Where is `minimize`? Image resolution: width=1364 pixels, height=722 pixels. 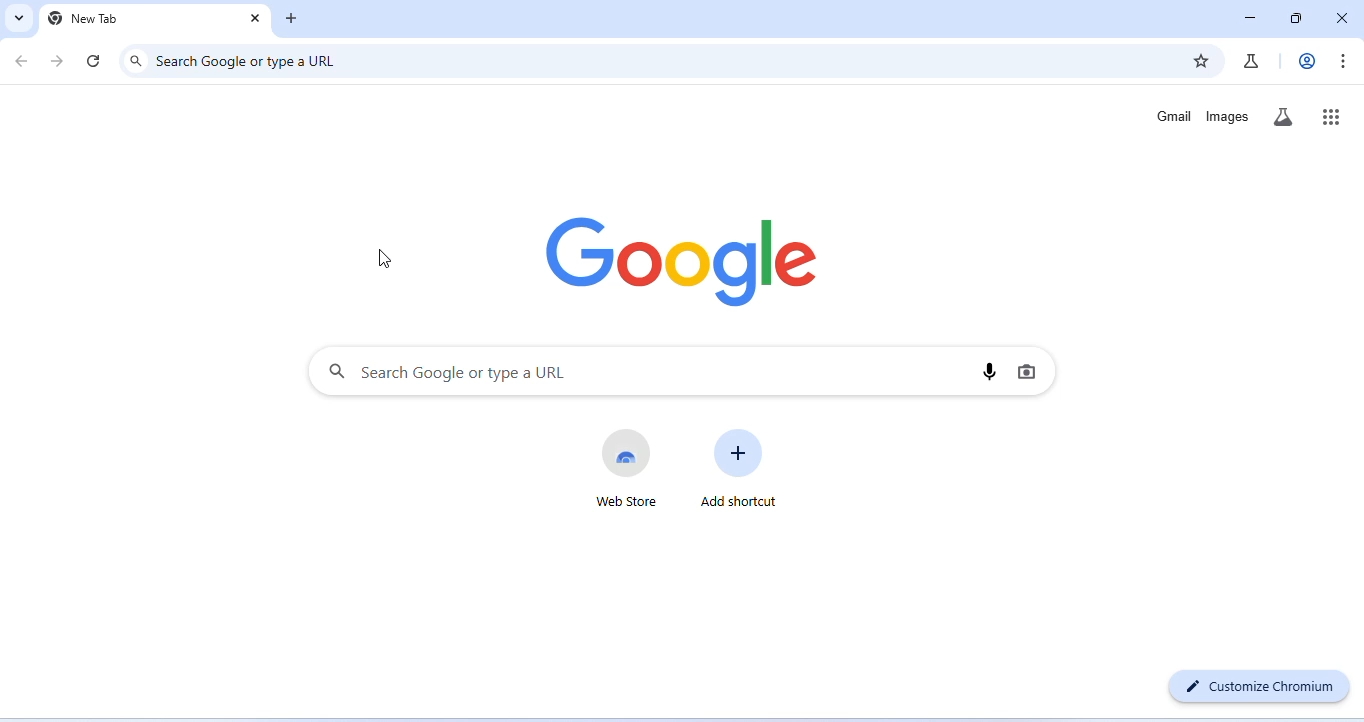 minimize is located at coordinates (1250, 19).